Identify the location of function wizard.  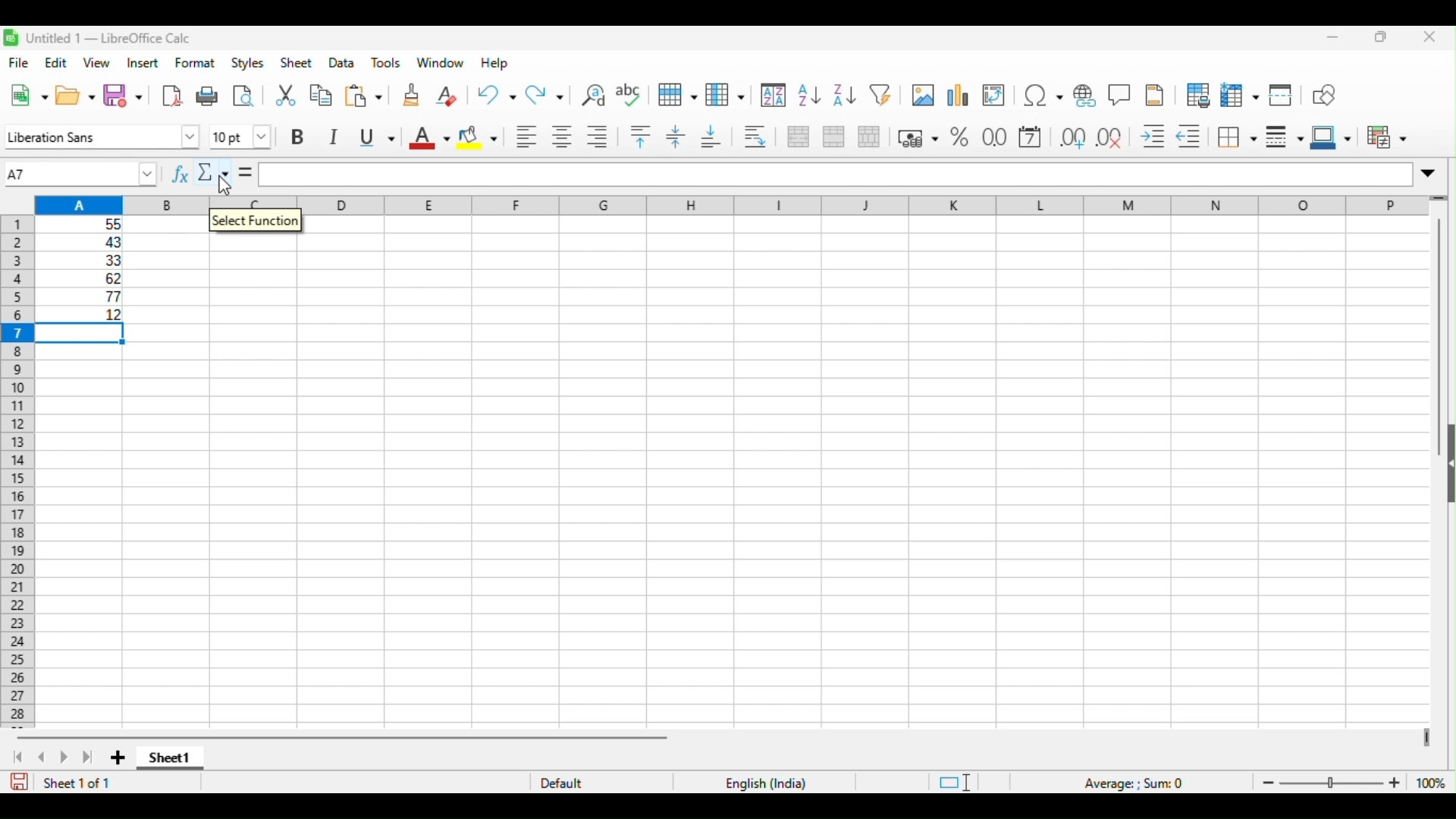
(180, 174).